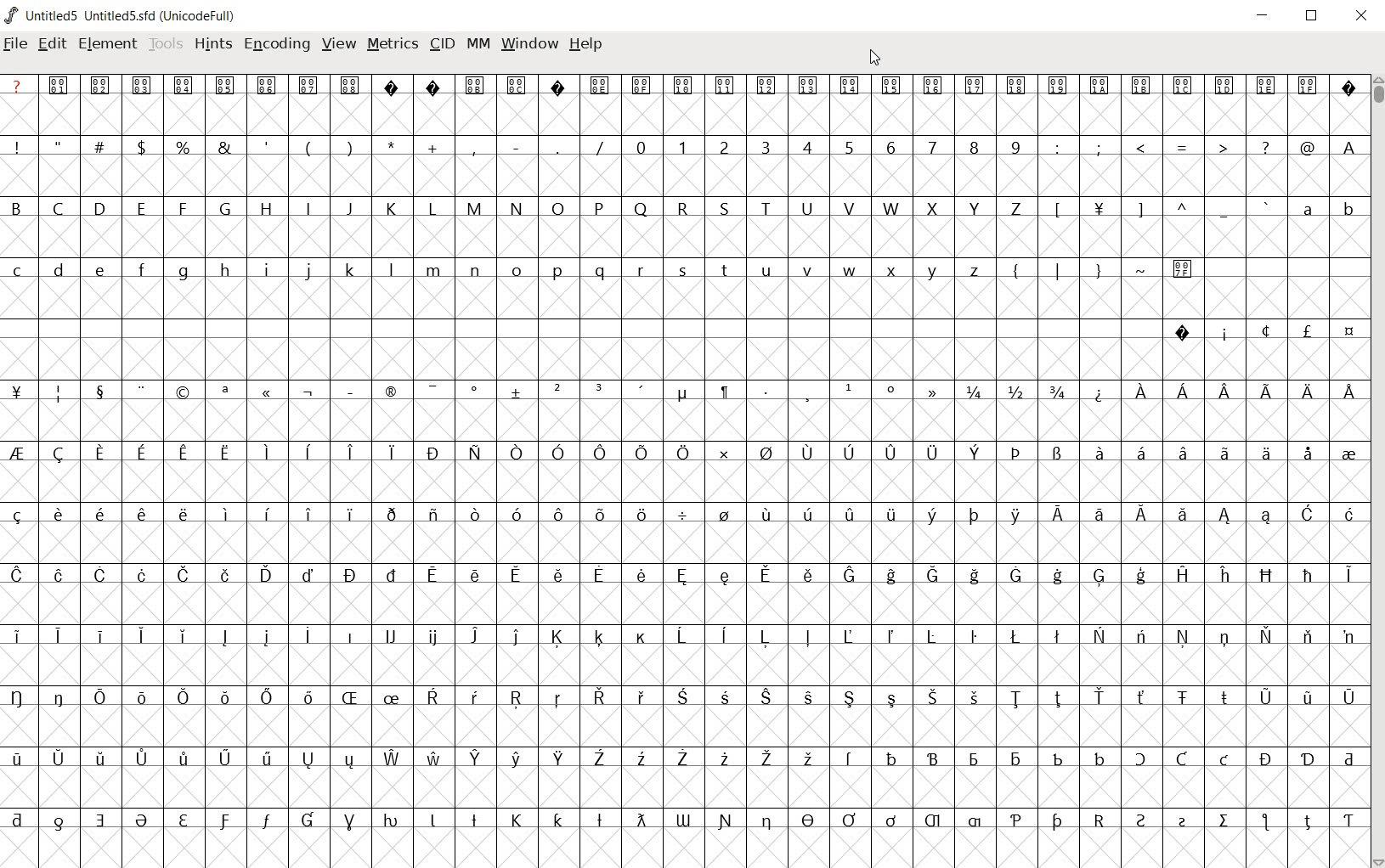 The height and width of the screenshot is (868, 1385). I want to click on Symbol, so click(599, 638).